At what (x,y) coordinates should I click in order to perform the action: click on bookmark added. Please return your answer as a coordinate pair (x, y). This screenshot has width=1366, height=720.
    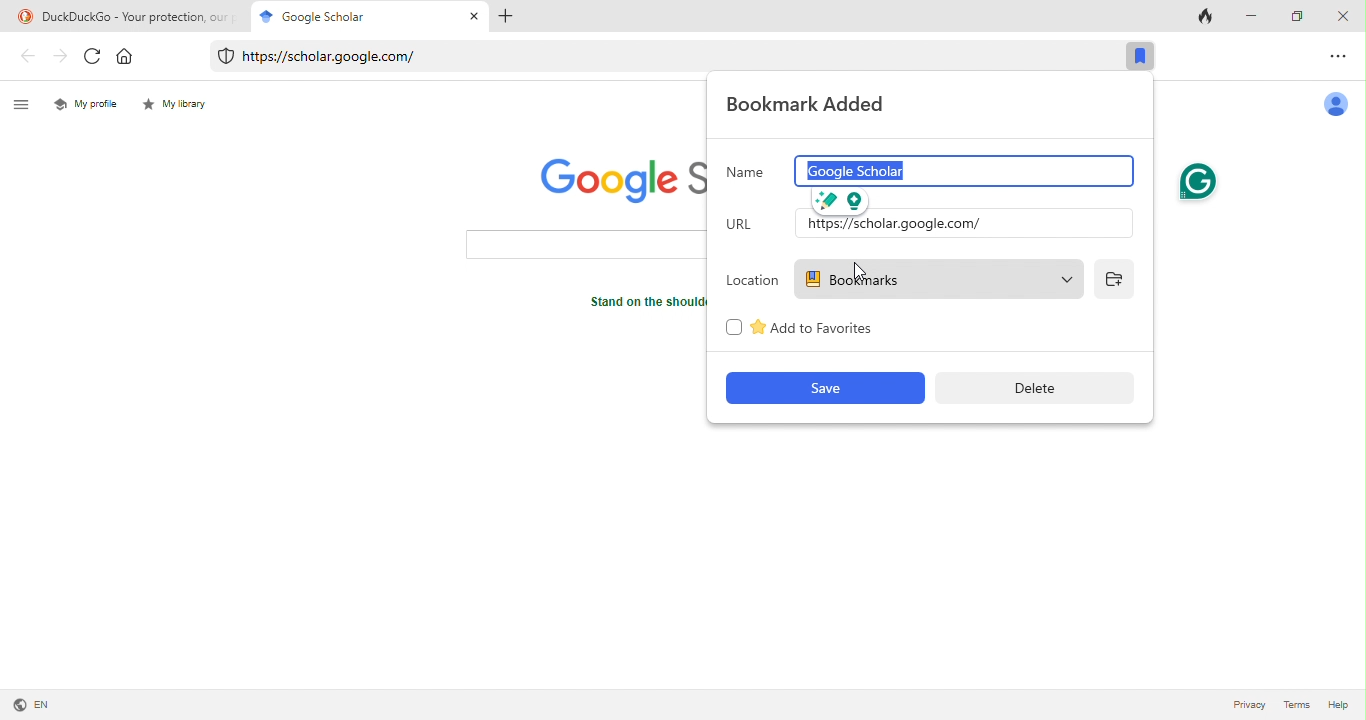
    Looking at the image, I should click on (811, 107).